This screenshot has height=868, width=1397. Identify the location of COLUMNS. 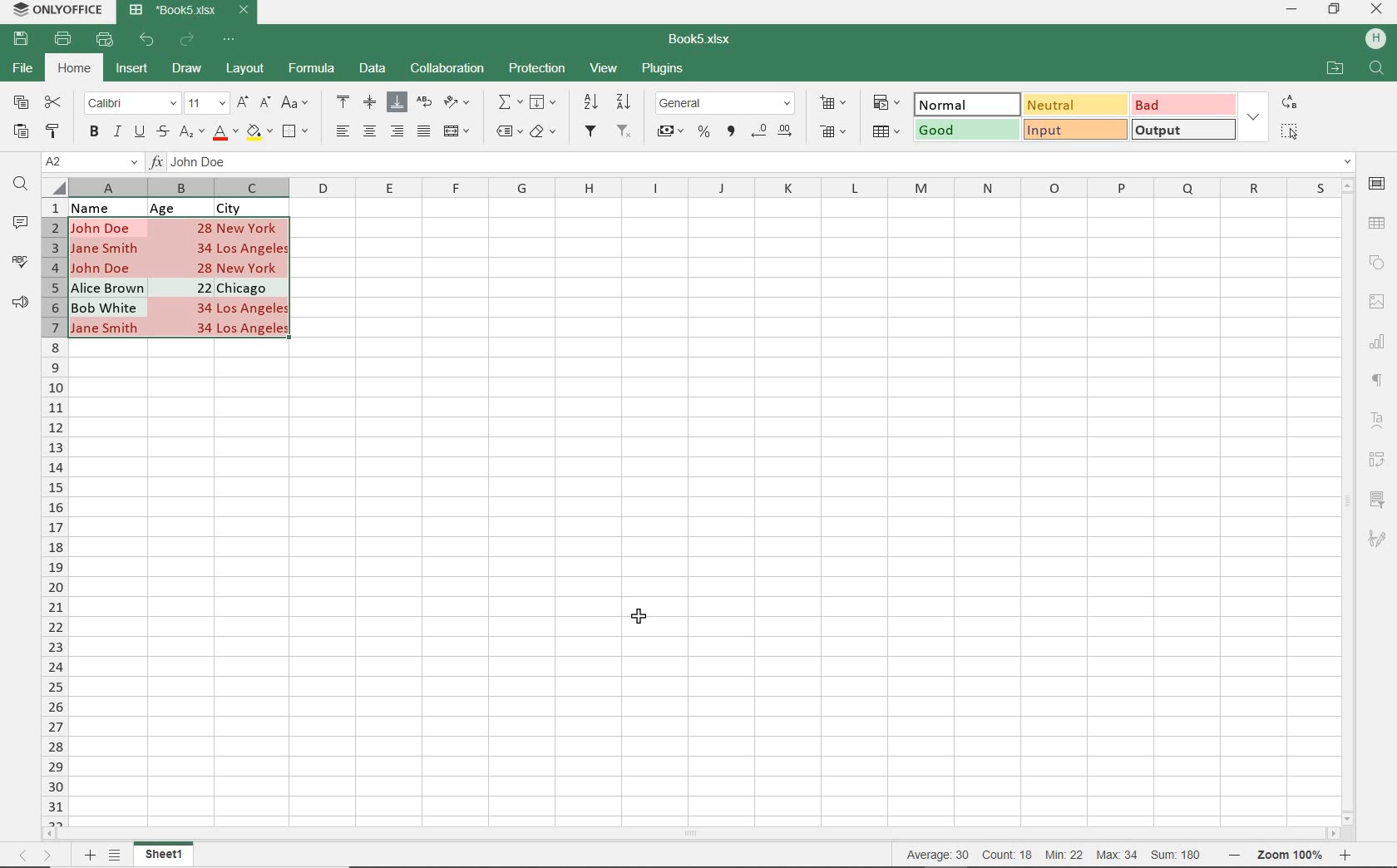
(54, 511).